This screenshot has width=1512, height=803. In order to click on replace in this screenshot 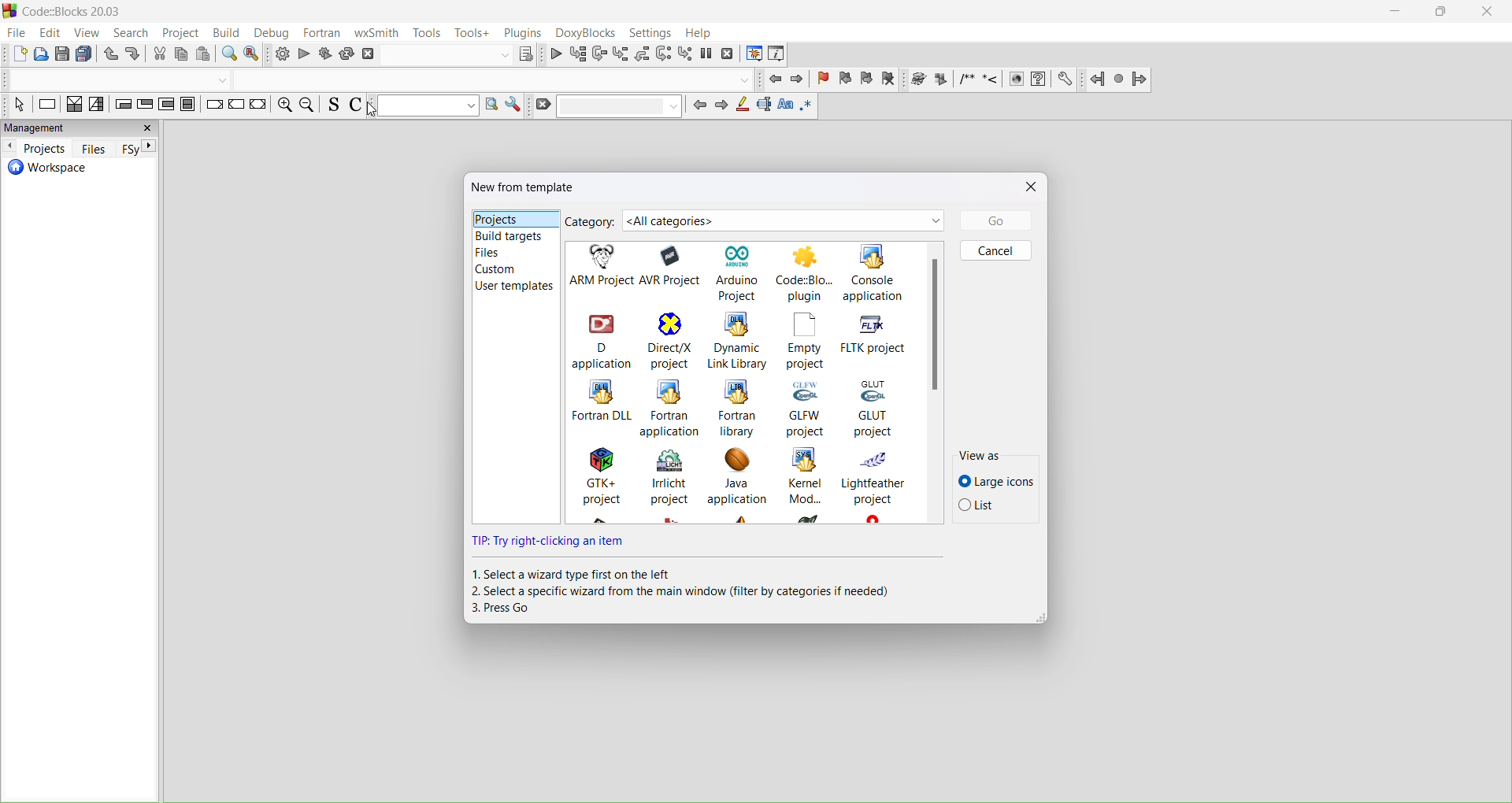, I will do `click(255, 54)`.